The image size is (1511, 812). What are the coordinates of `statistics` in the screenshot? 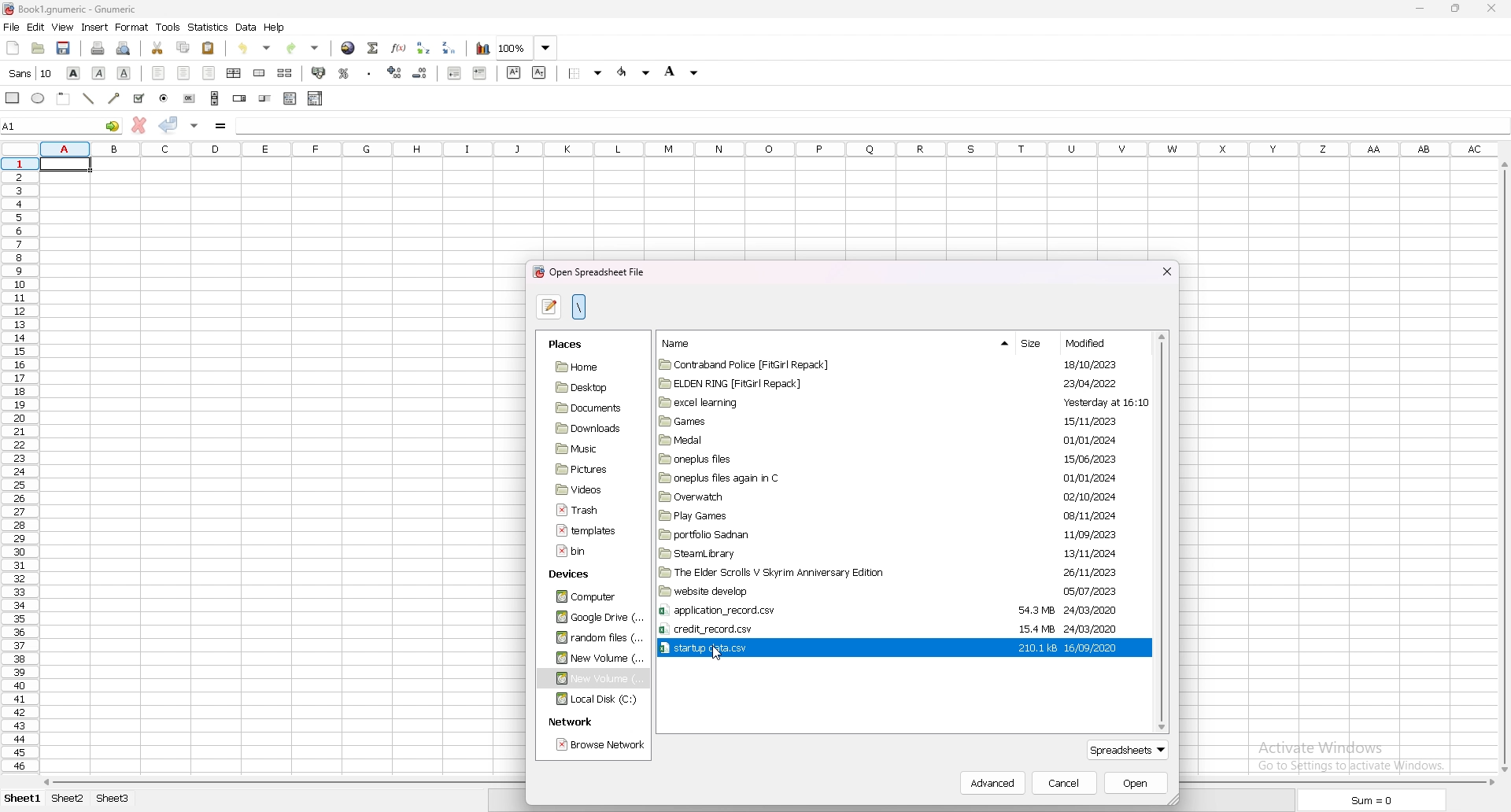 It's located at (209, 27).